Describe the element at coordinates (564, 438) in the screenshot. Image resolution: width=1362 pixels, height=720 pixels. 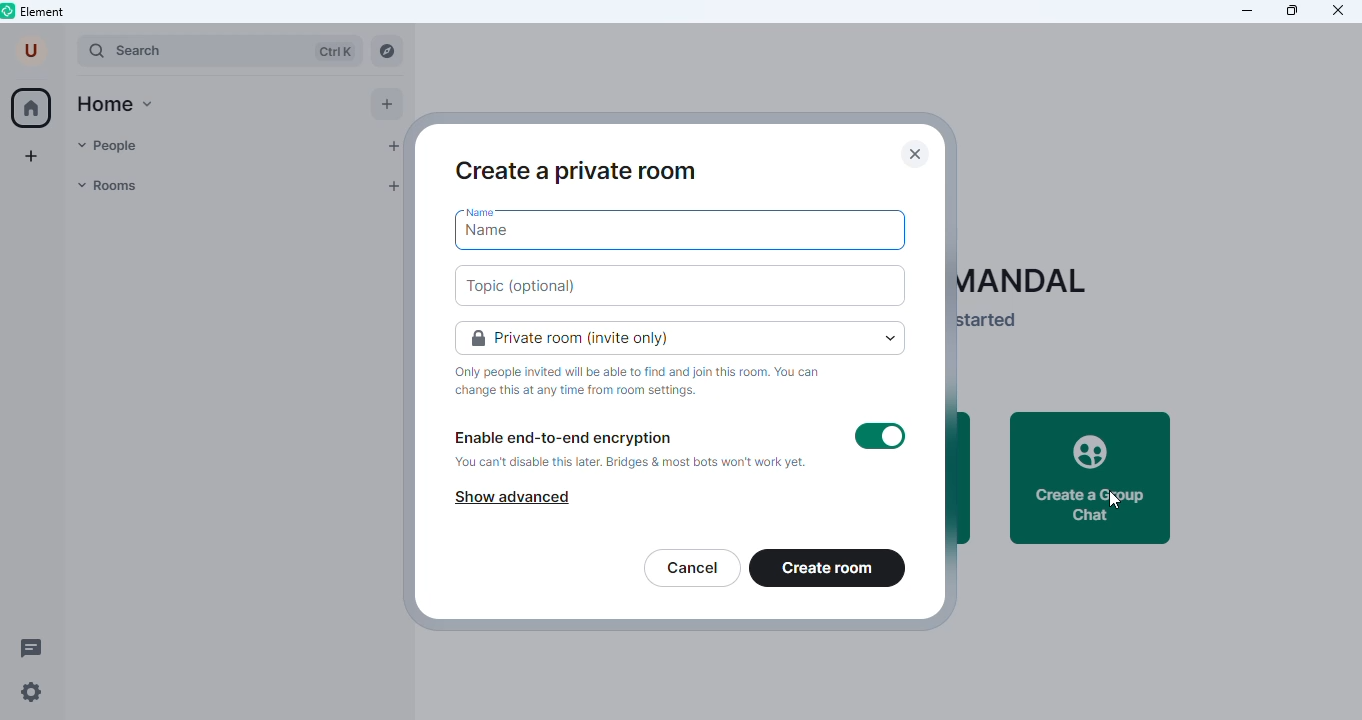
I see `enable end to end encryption` at that location.